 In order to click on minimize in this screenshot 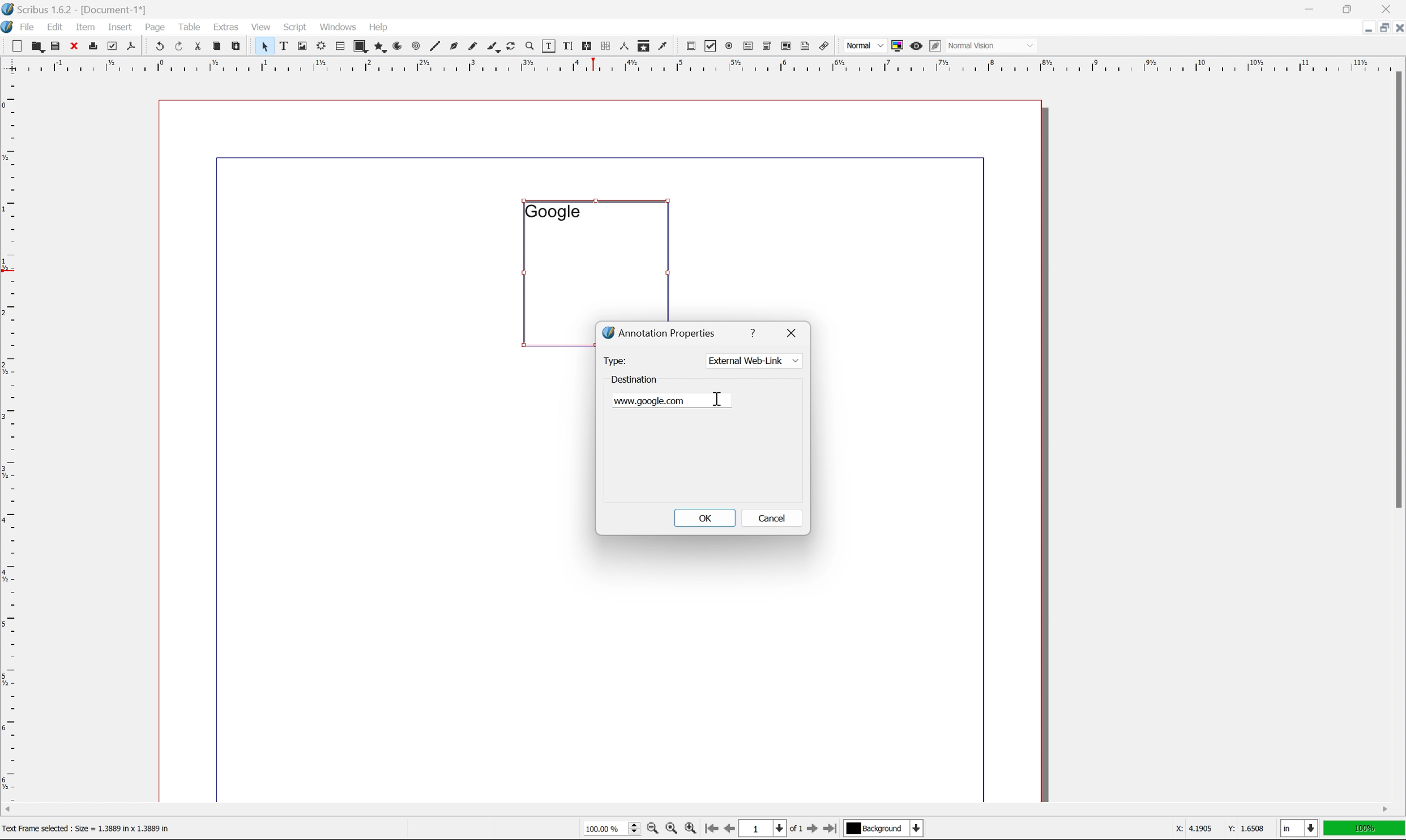, I will do `click(1361, 27)`.